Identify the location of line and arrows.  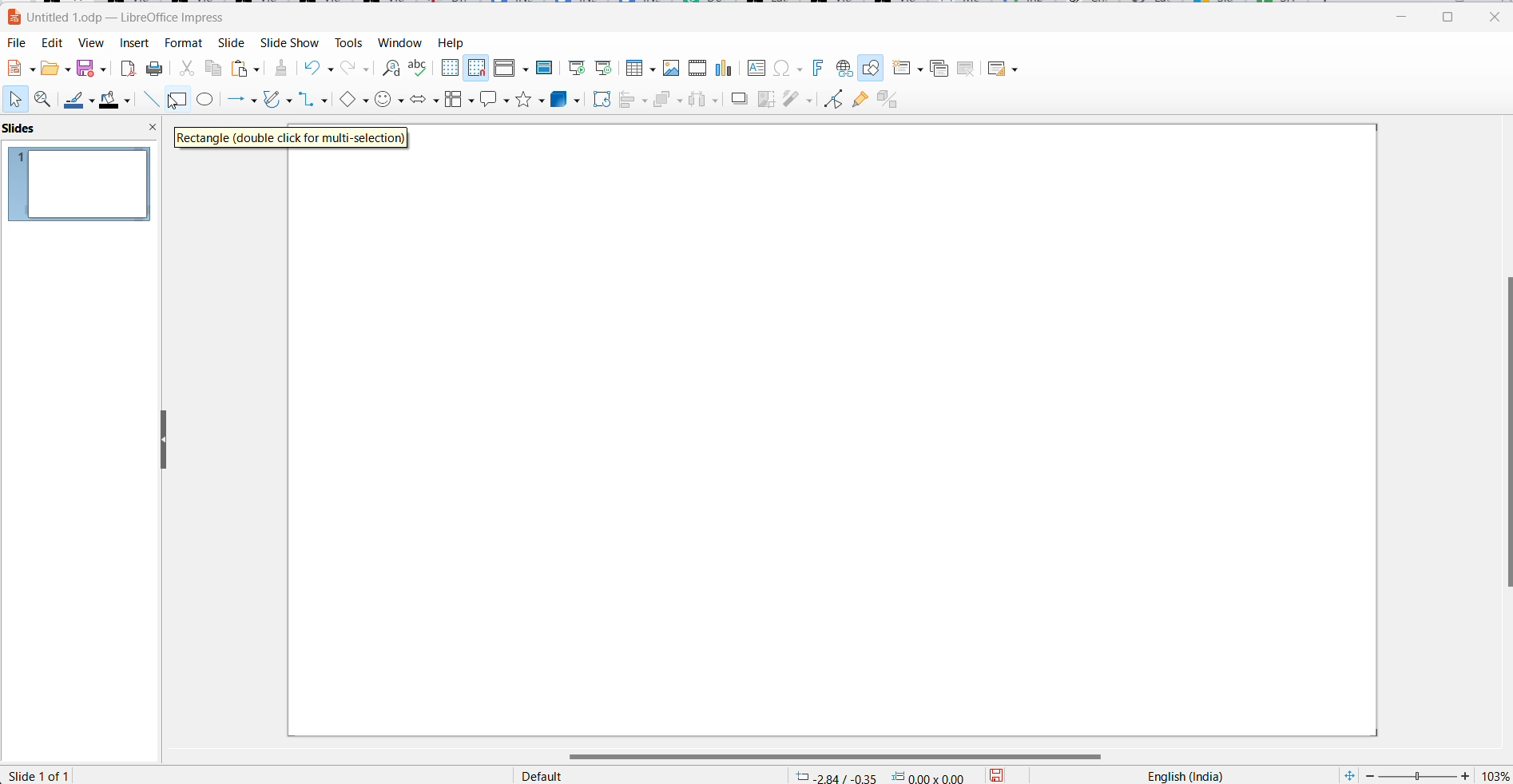
(244, 101).